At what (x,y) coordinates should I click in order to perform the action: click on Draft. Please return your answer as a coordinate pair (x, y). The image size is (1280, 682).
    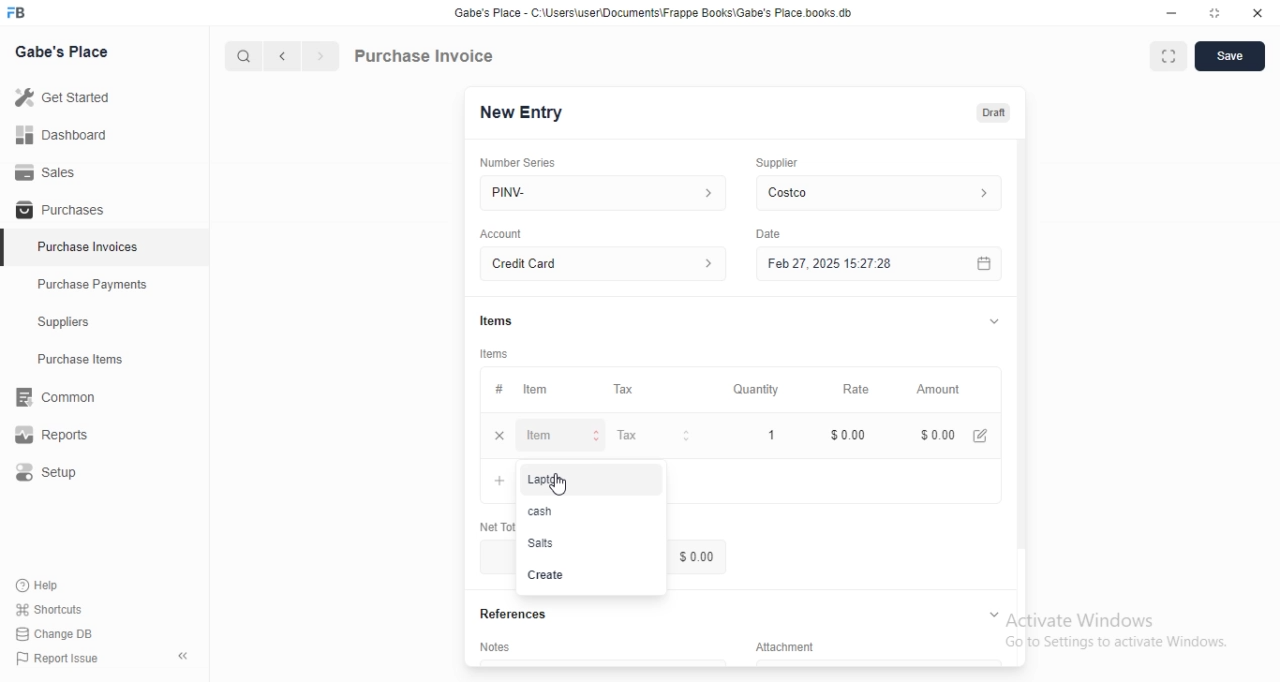
    Looking at the image, I should click on (994, 113).